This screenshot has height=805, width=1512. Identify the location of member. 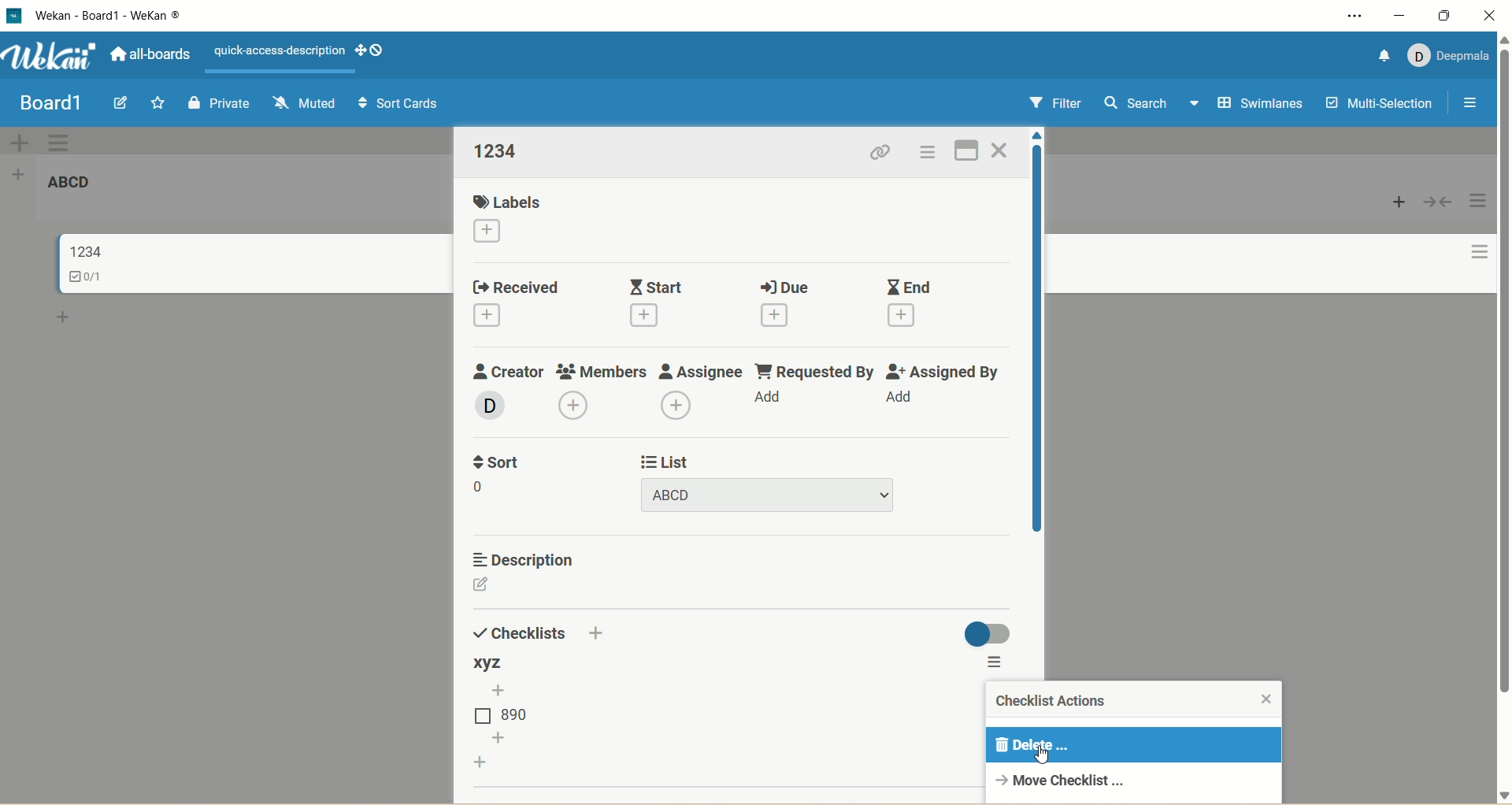
(495, 406).